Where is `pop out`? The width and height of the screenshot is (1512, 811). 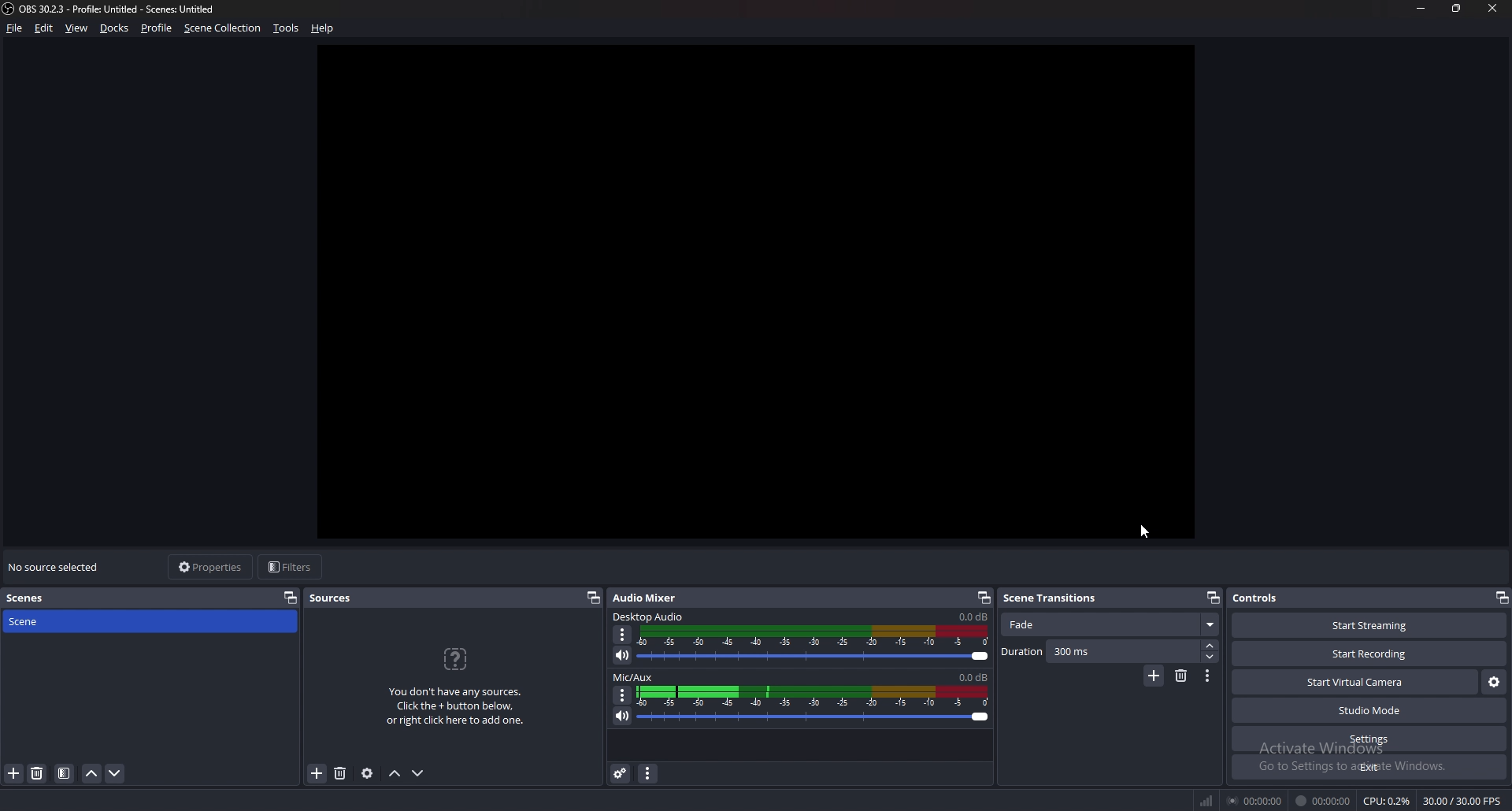
pop out is located at coordinates (594, 598).